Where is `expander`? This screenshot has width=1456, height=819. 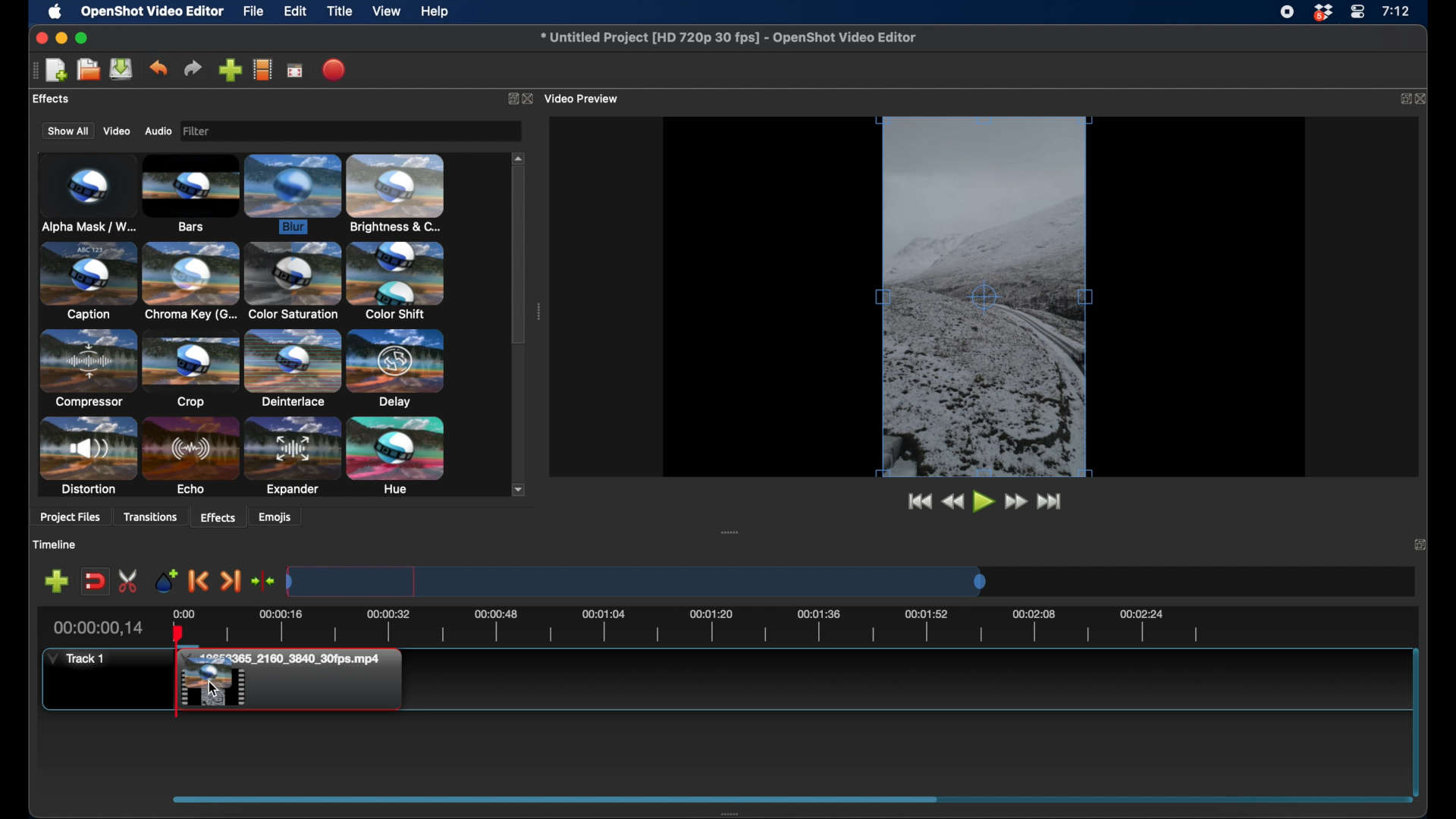 expander is located at coordinates (293, 457).